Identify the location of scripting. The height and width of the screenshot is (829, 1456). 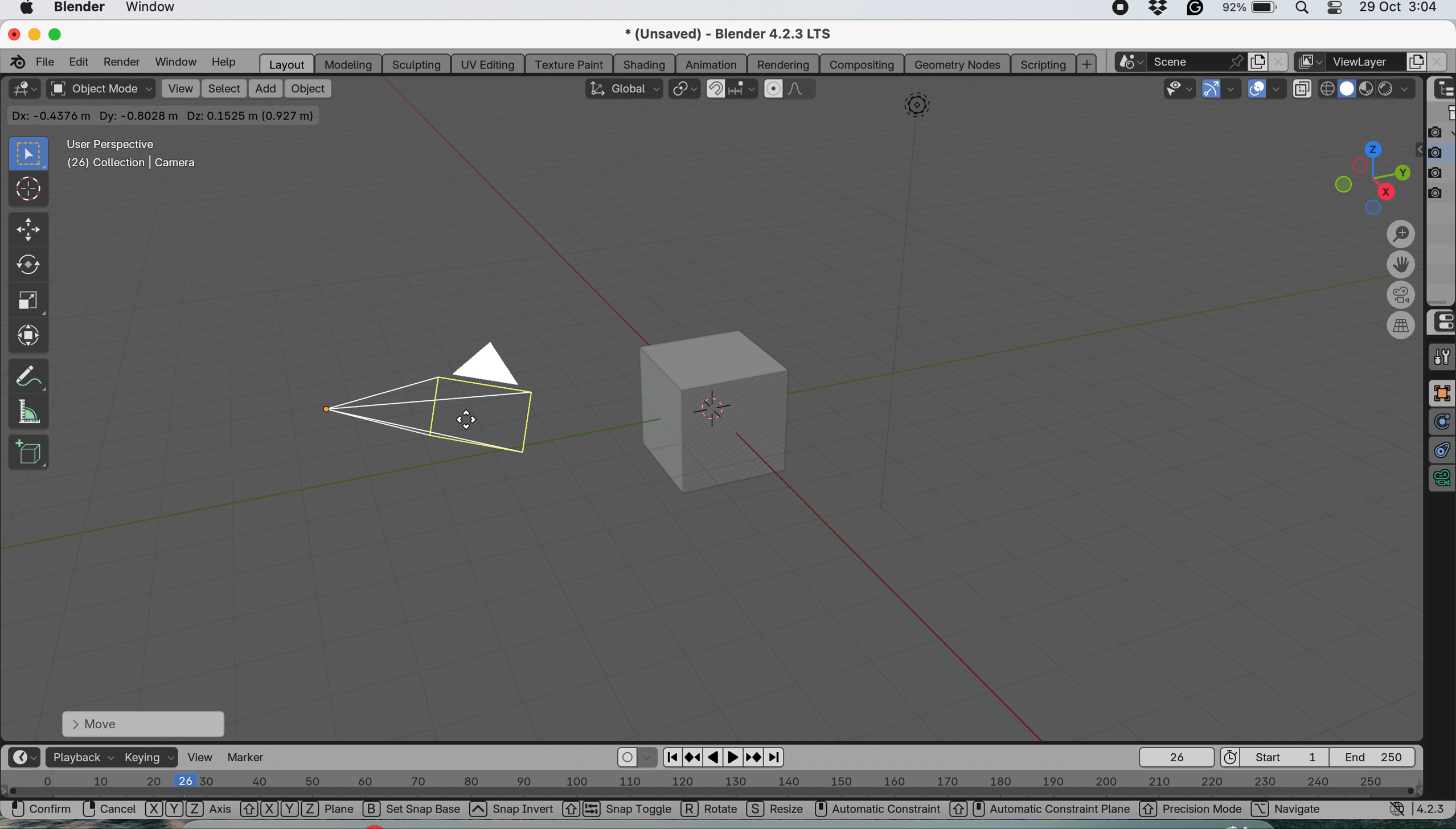
(1041, 63).